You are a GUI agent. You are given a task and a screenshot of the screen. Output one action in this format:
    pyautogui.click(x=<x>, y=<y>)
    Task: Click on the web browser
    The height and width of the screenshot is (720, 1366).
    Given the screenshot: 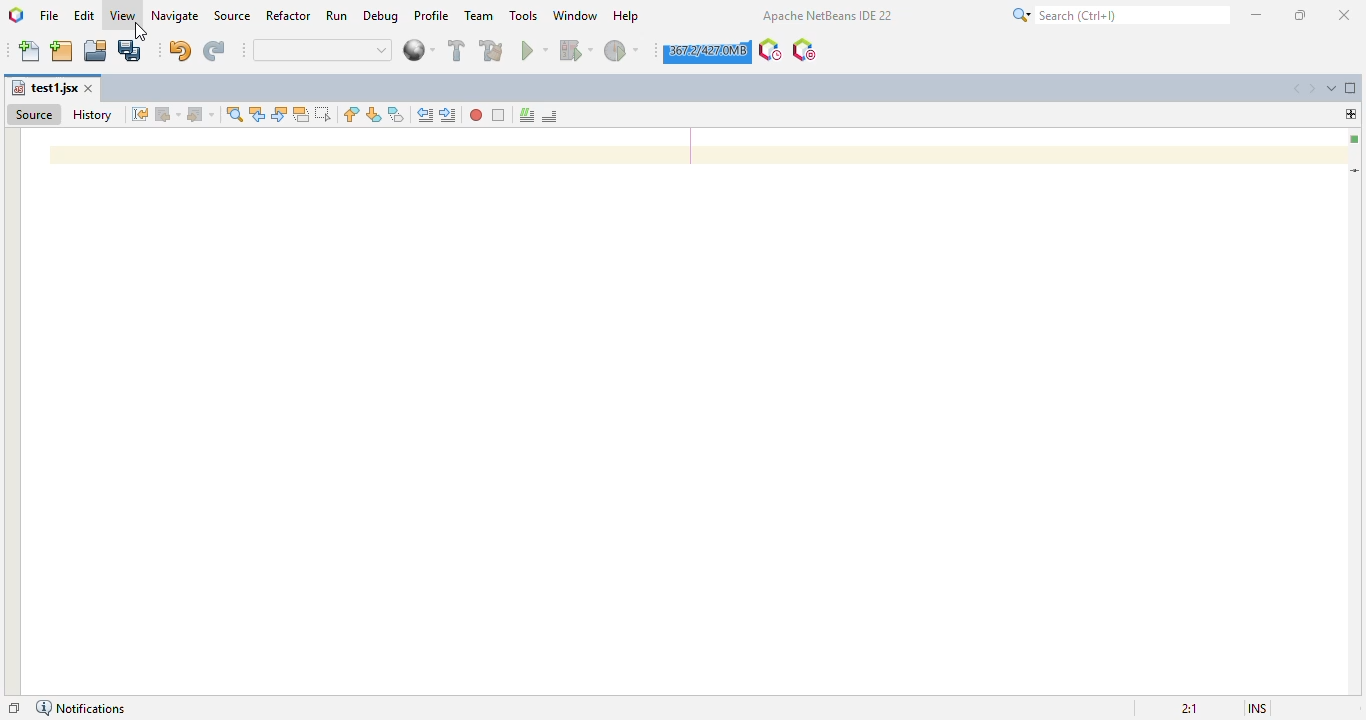 What is the action you would take?
    pyautogui.click(x=419, y=50)
    